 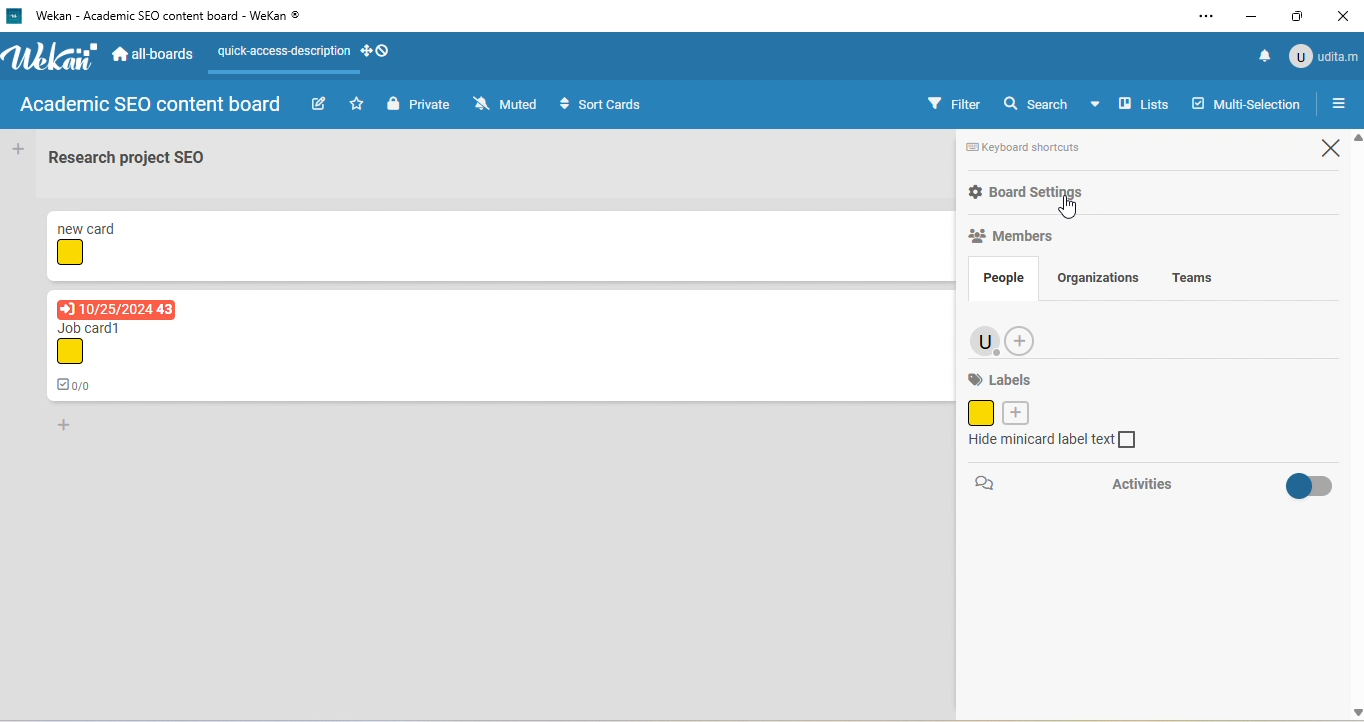 What do you see at coordinates (1252, 15) in the screenshot?
I see `minimize` at bounding box center [1252, 15].